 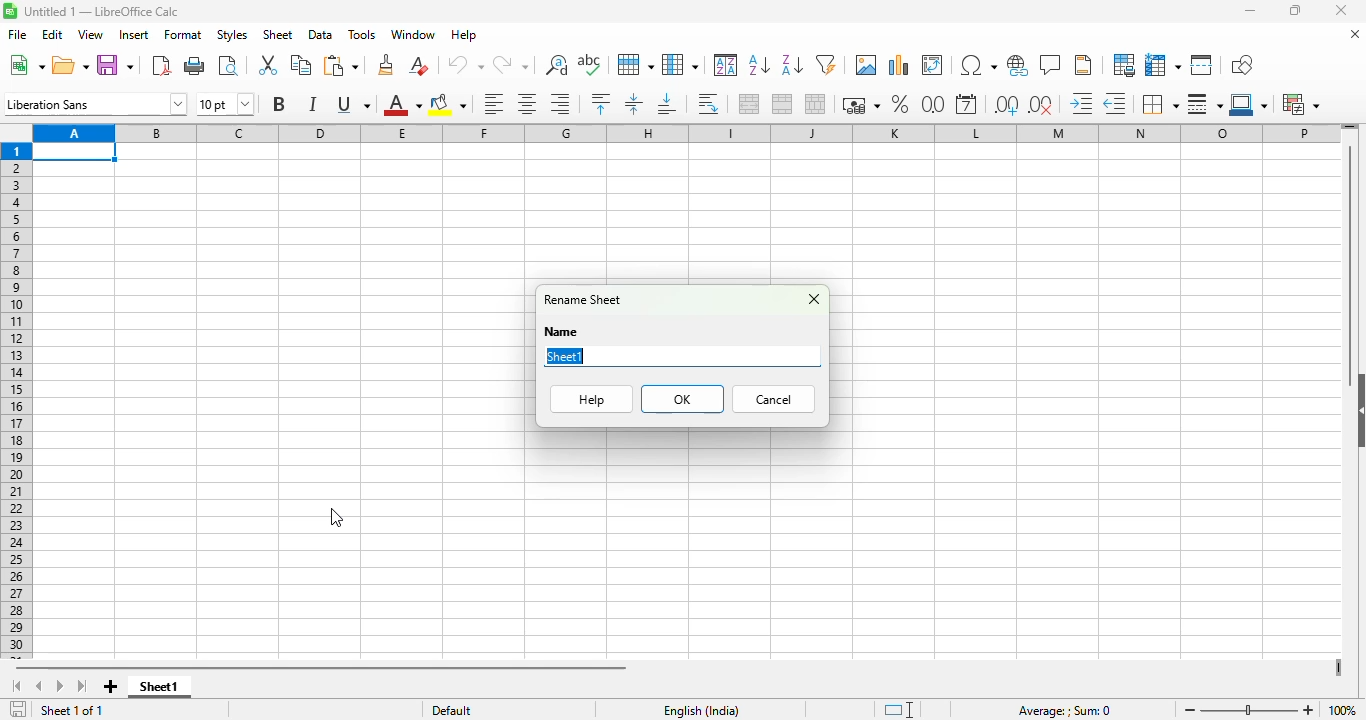 What do you see at coordinates (111, 687) in the screenshot?
I see `add new sheet` at bounding box center [111, 687].